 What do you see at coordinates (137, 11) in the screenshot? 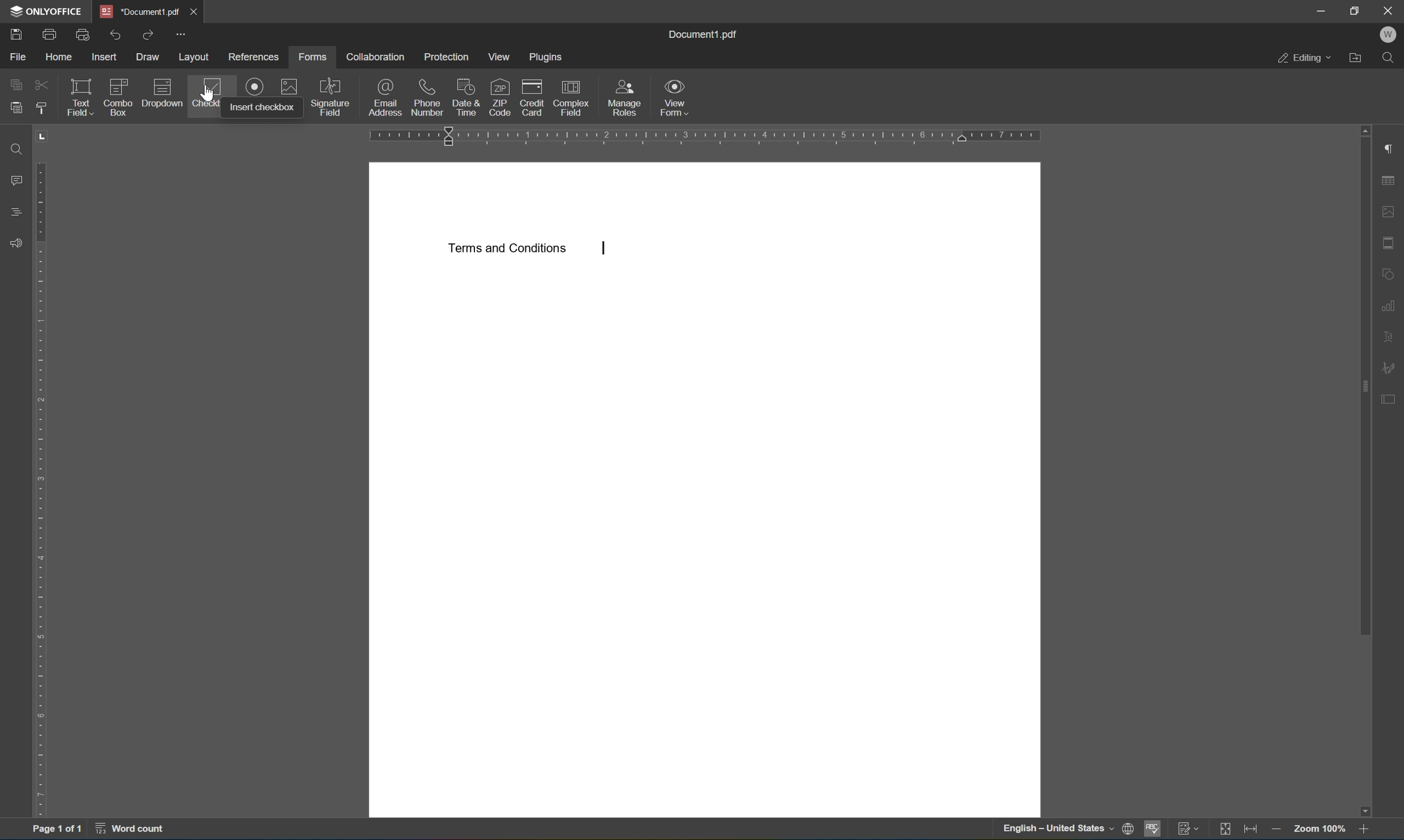
I see `*document1.pdf` at bounding box center [137, 11].